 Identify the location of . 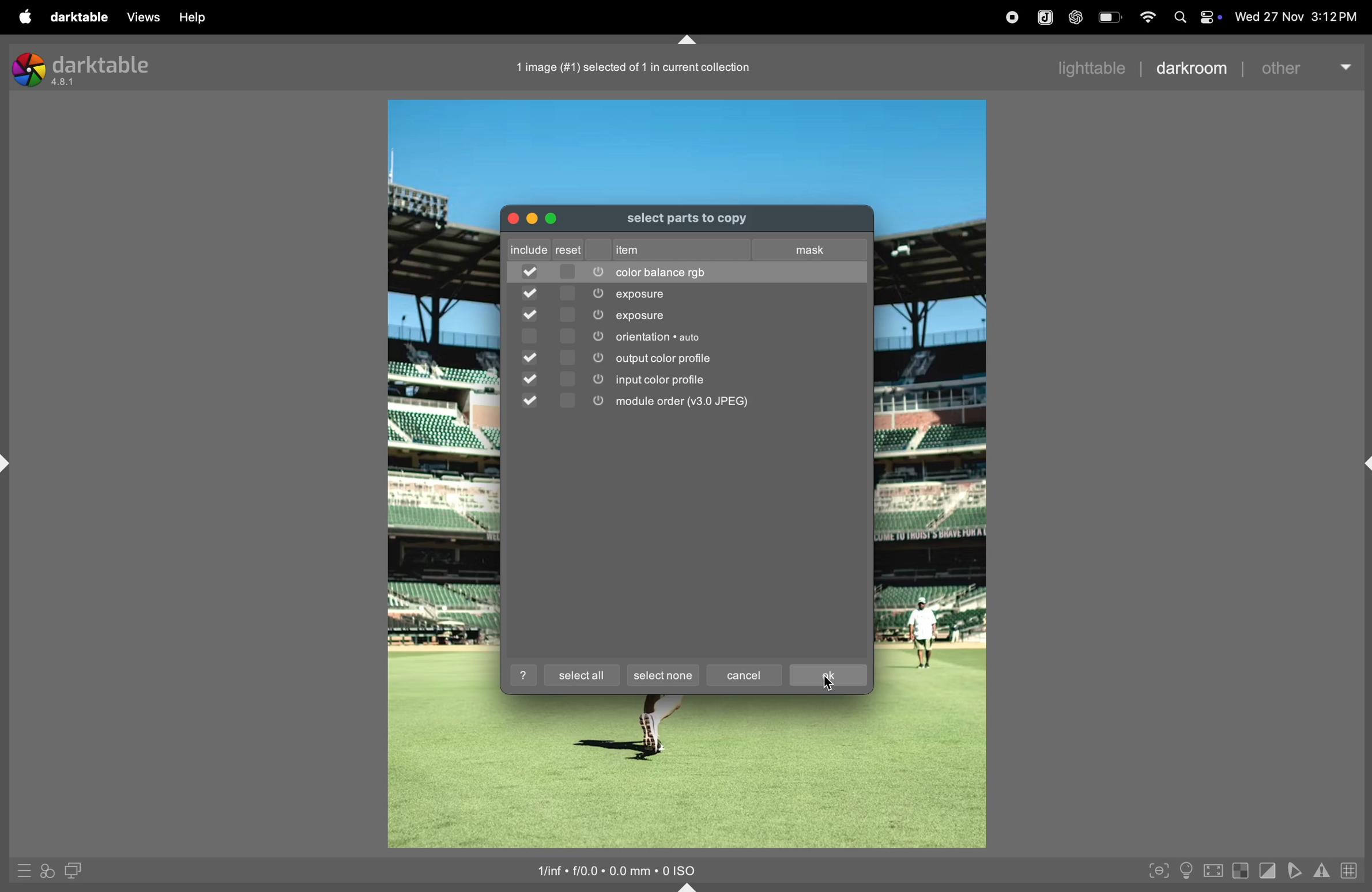
(29, 18).